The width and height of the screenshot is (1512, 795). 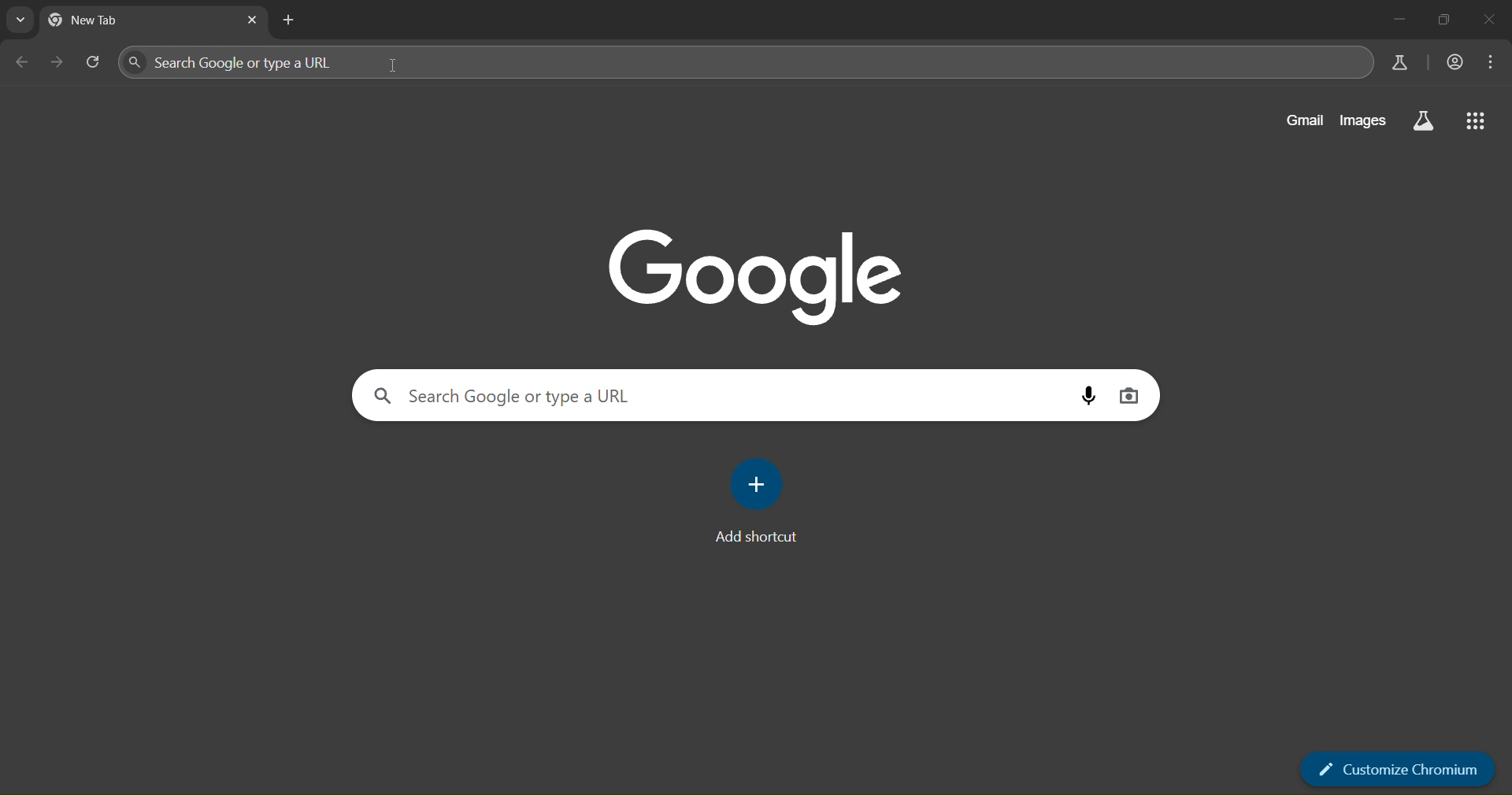 I want to click on search labs, so click(x=1398, y=62).